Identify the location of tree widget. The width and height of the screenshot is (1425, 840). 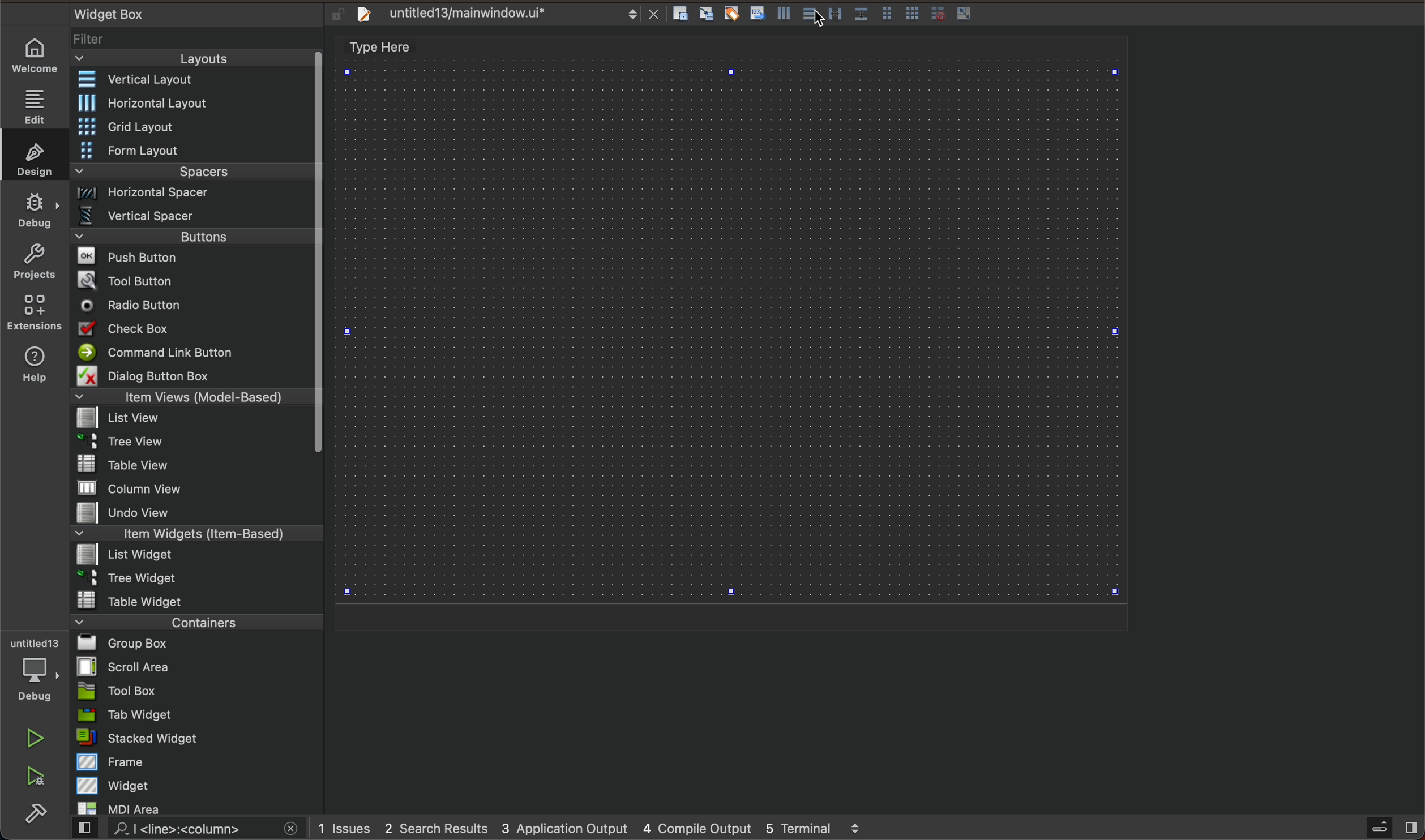
(193, 578).